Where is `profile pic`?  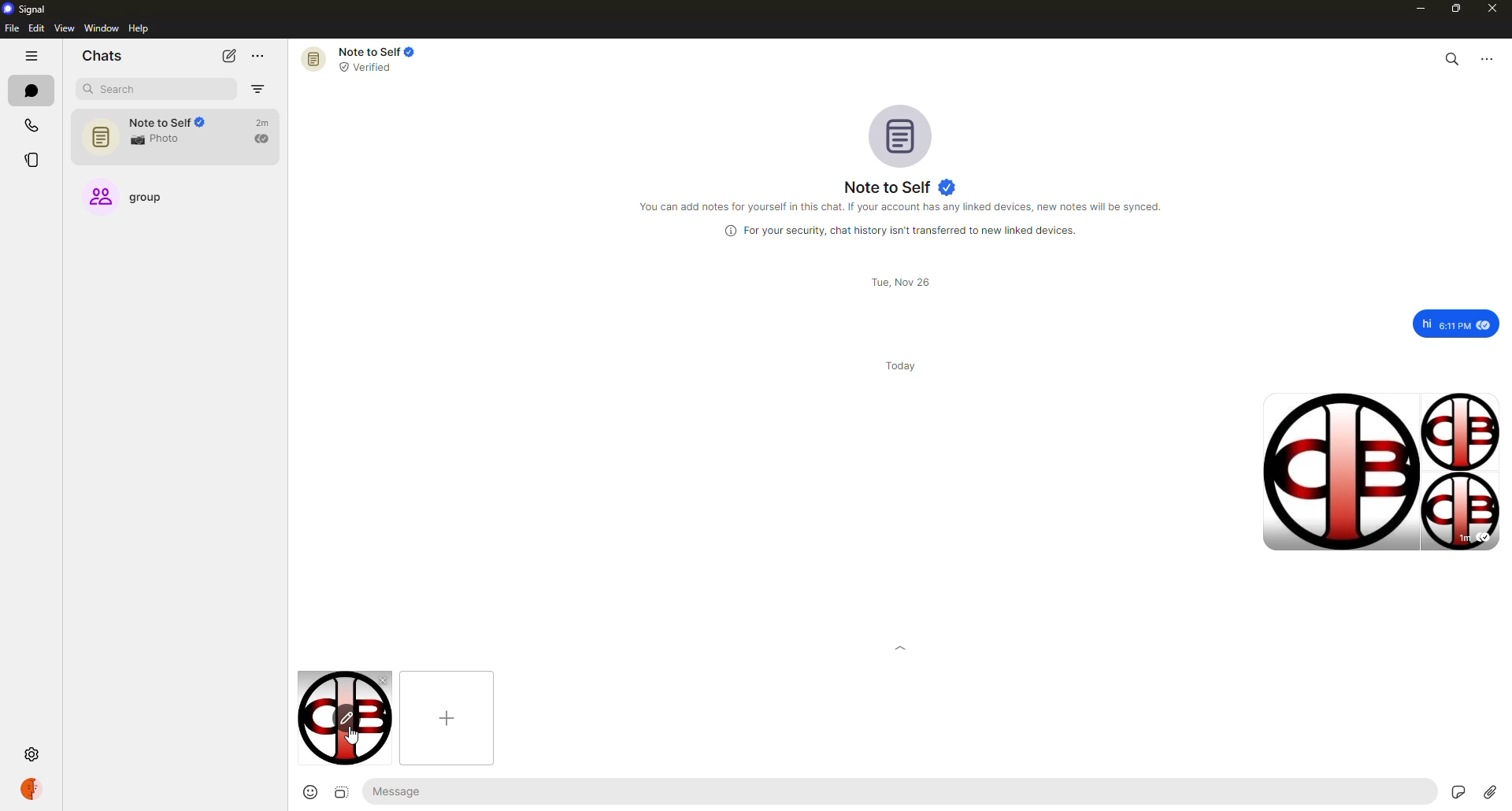
profile pic is located at coordinates (903, 135).